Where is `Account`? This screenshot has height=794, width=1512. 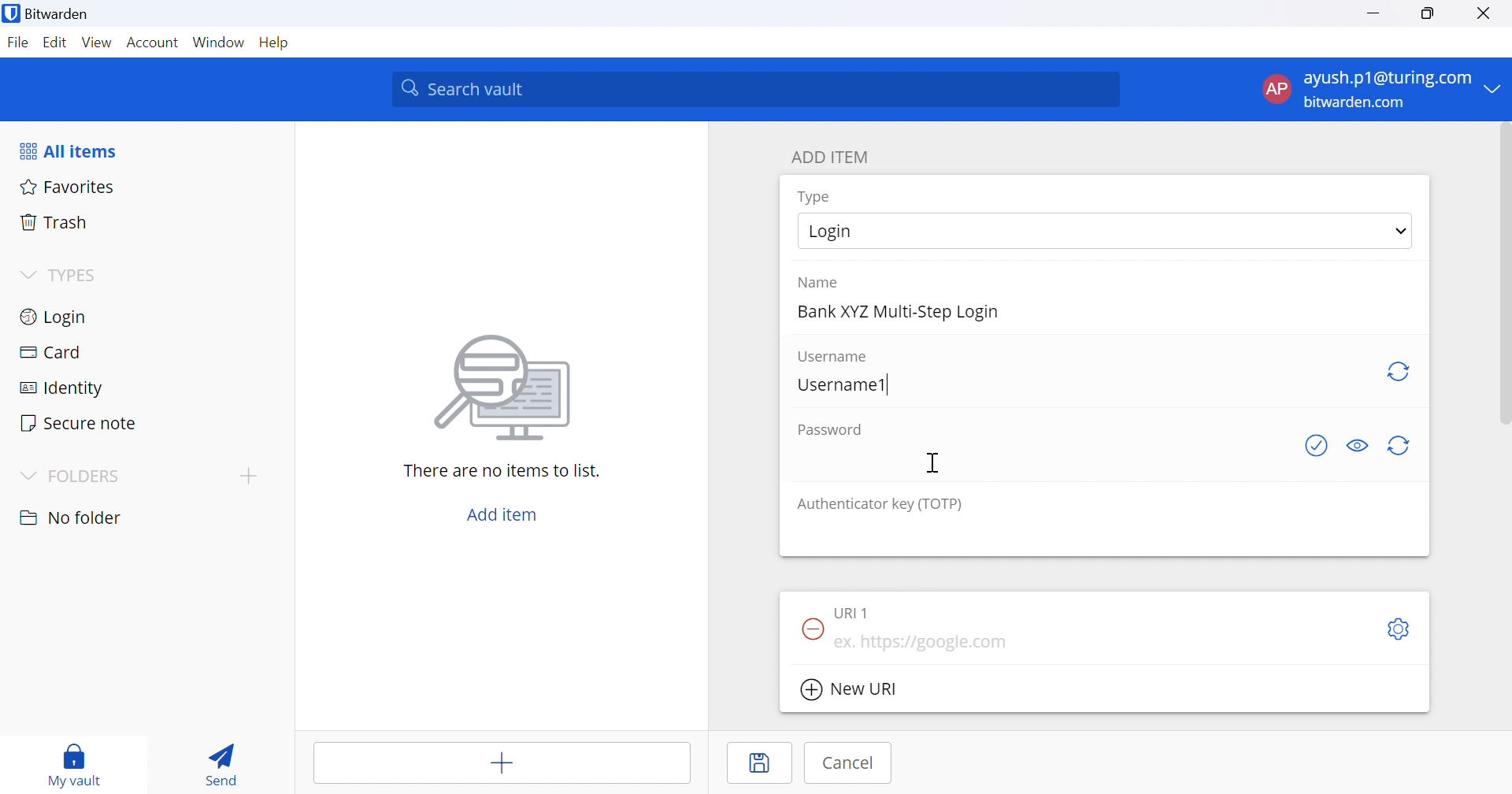 Account is located at coordinates (154, 43).